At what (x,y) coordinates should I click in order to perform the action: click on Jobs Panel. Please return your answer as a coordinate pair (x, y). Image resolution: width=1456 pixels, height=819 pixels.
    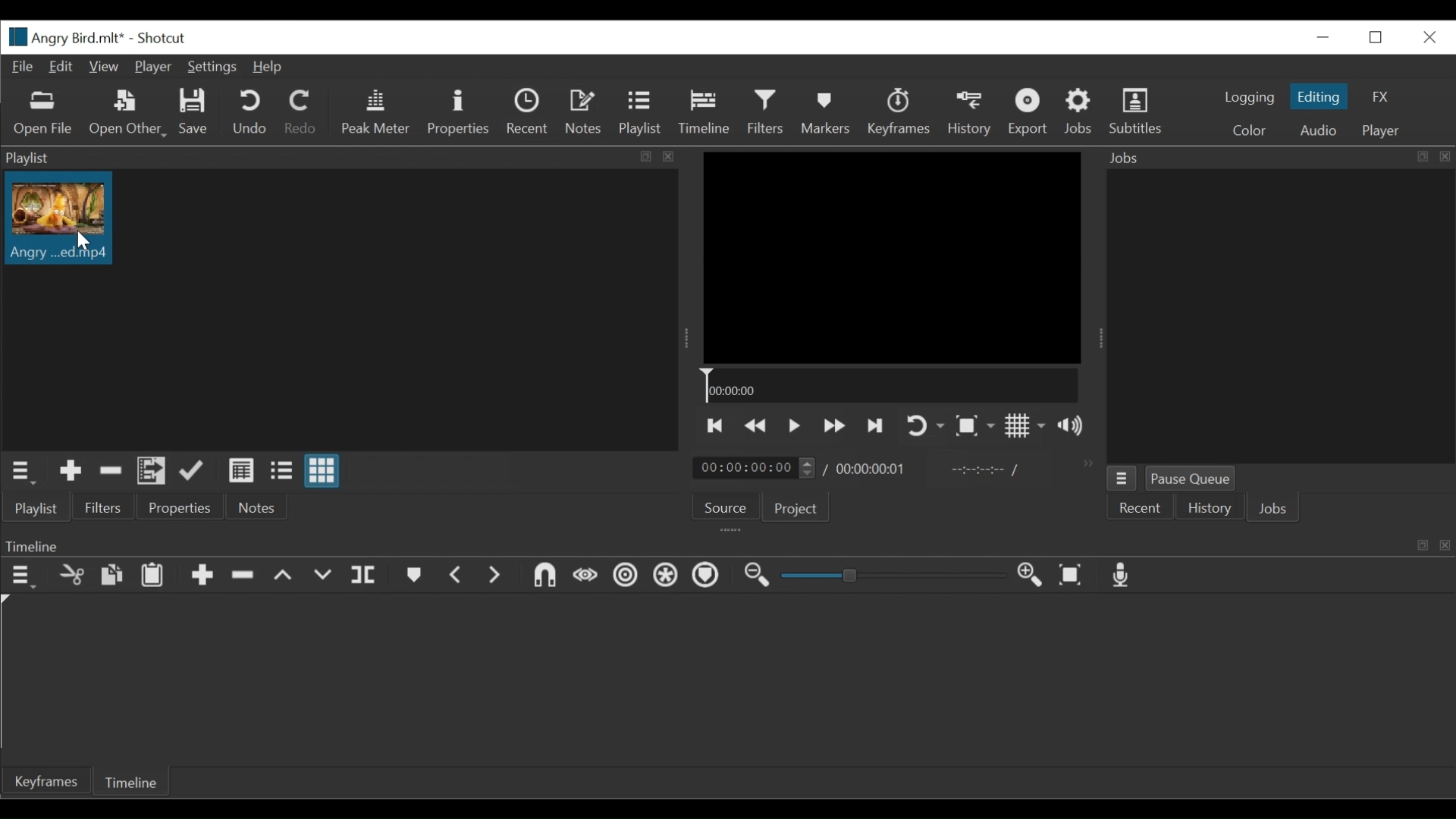
    Looking at the image, I should click on (1287, 317).